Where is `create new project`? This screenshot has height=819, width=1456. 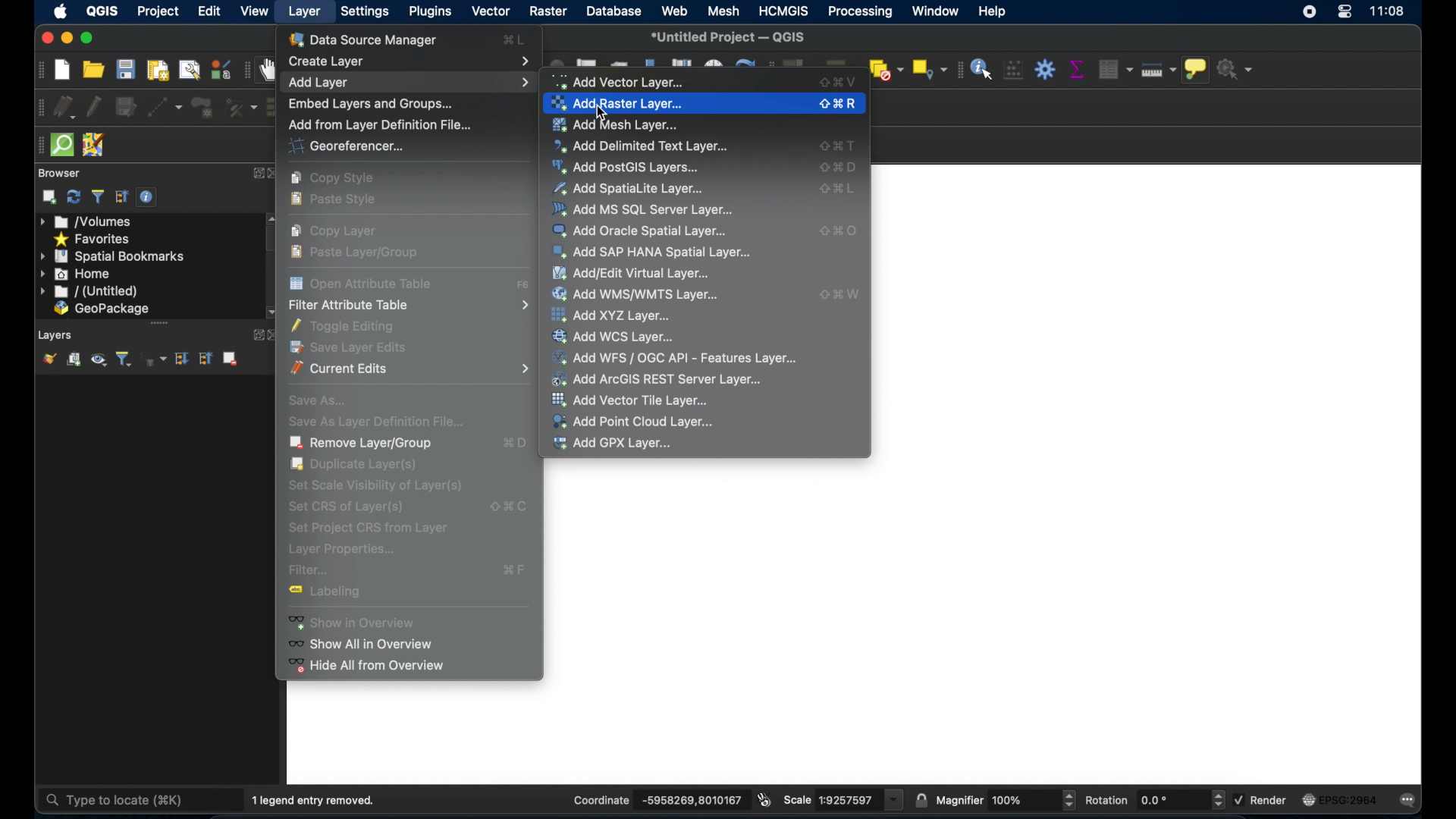 create new project is located at coordinates (61, 70).